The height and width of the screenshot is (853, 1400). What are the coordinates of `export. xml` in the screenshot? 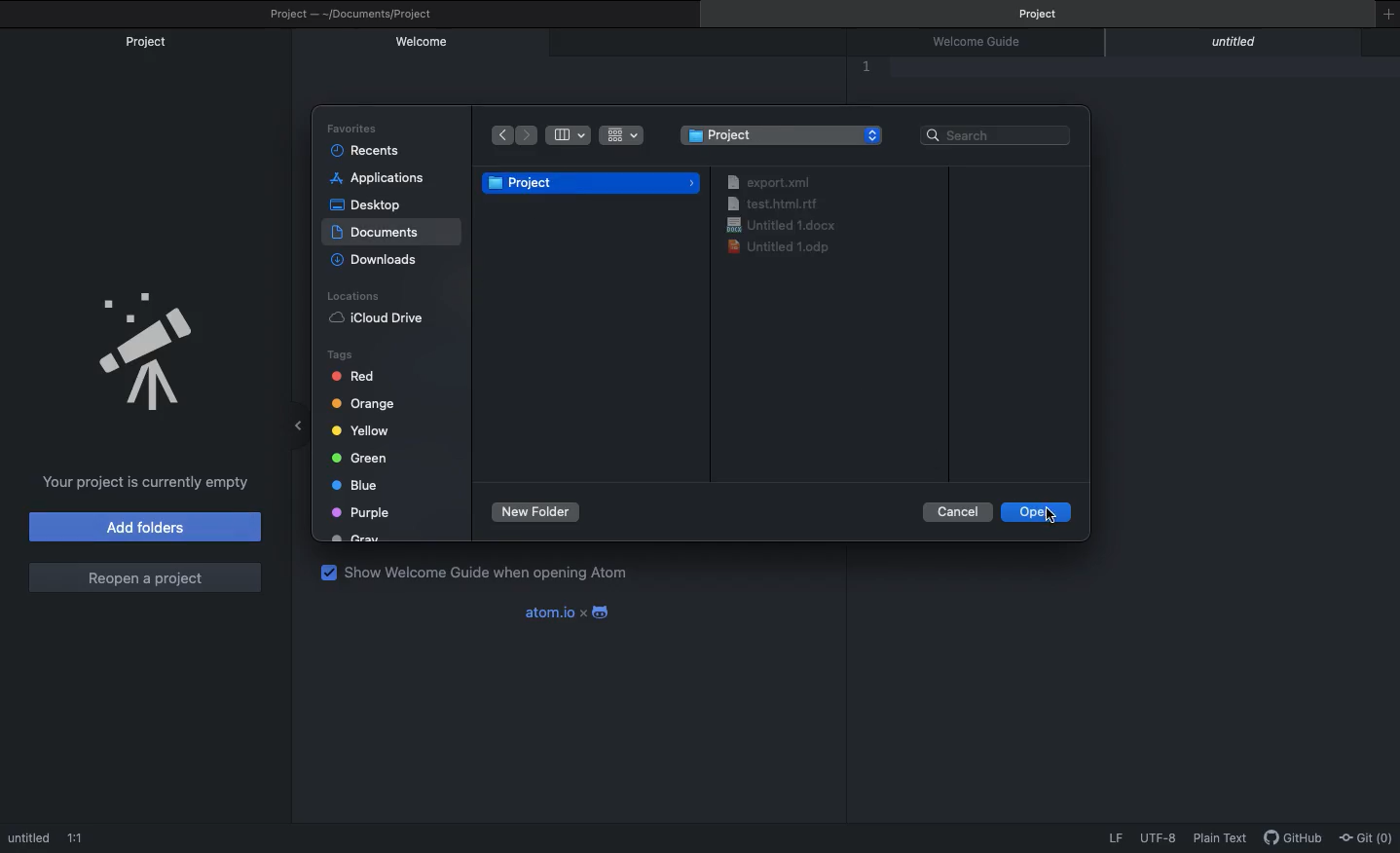 It's located at (774, 181).